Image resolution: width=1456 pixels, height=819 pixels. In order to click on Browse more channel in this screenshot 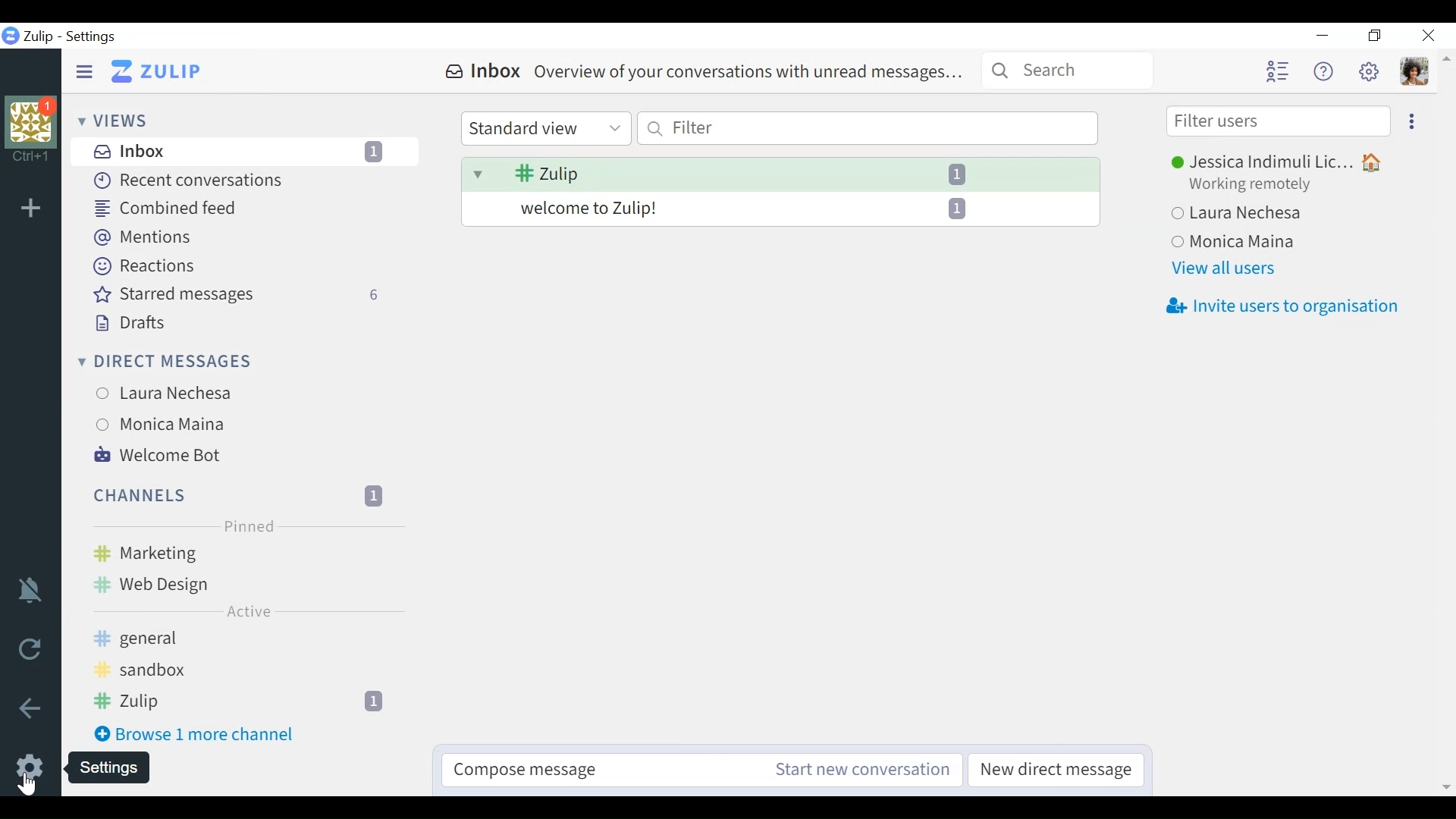, I will do `click(203, 735)`.